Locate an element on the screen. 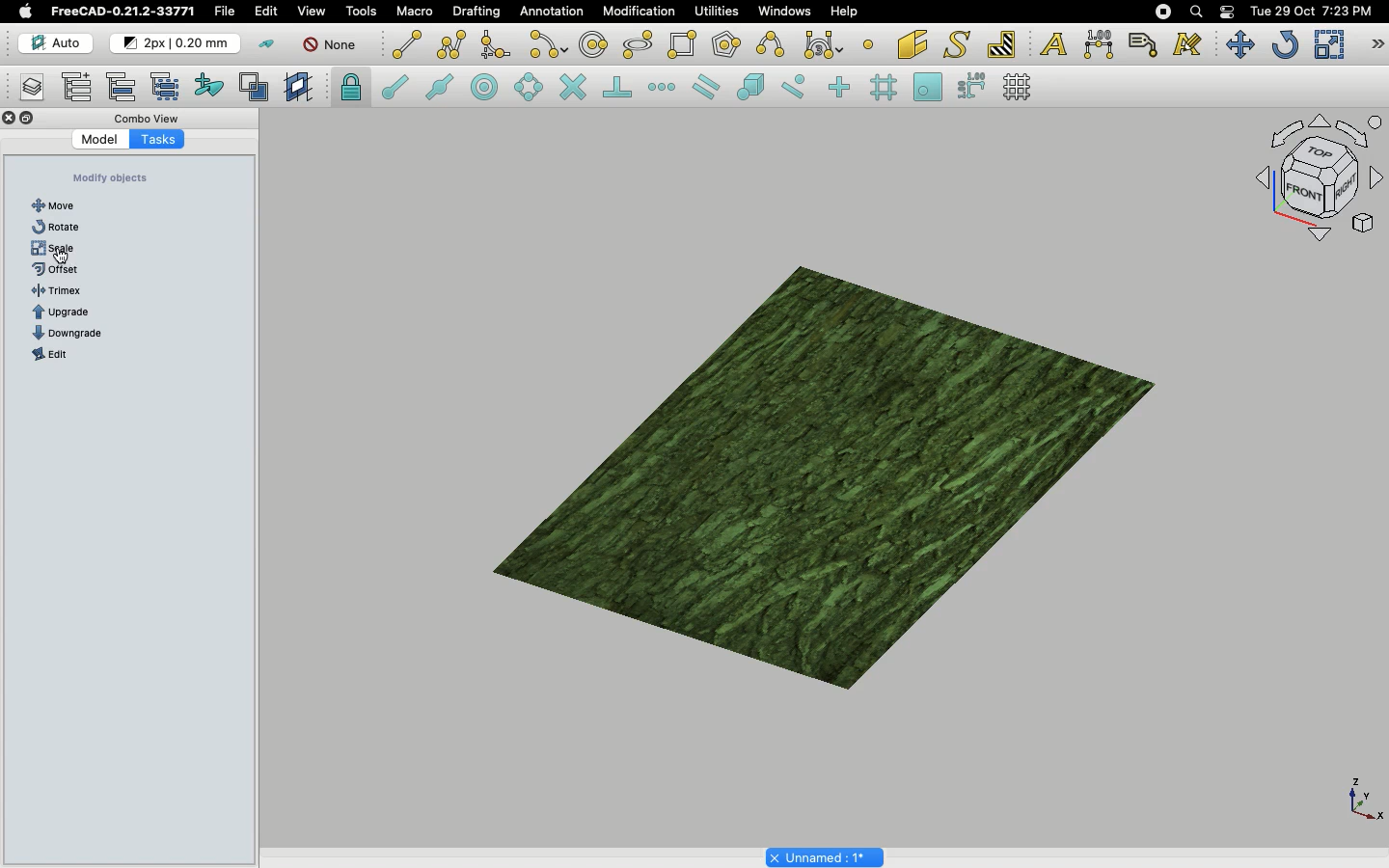  Toggle construction mode is located at coordinates (265, 43).